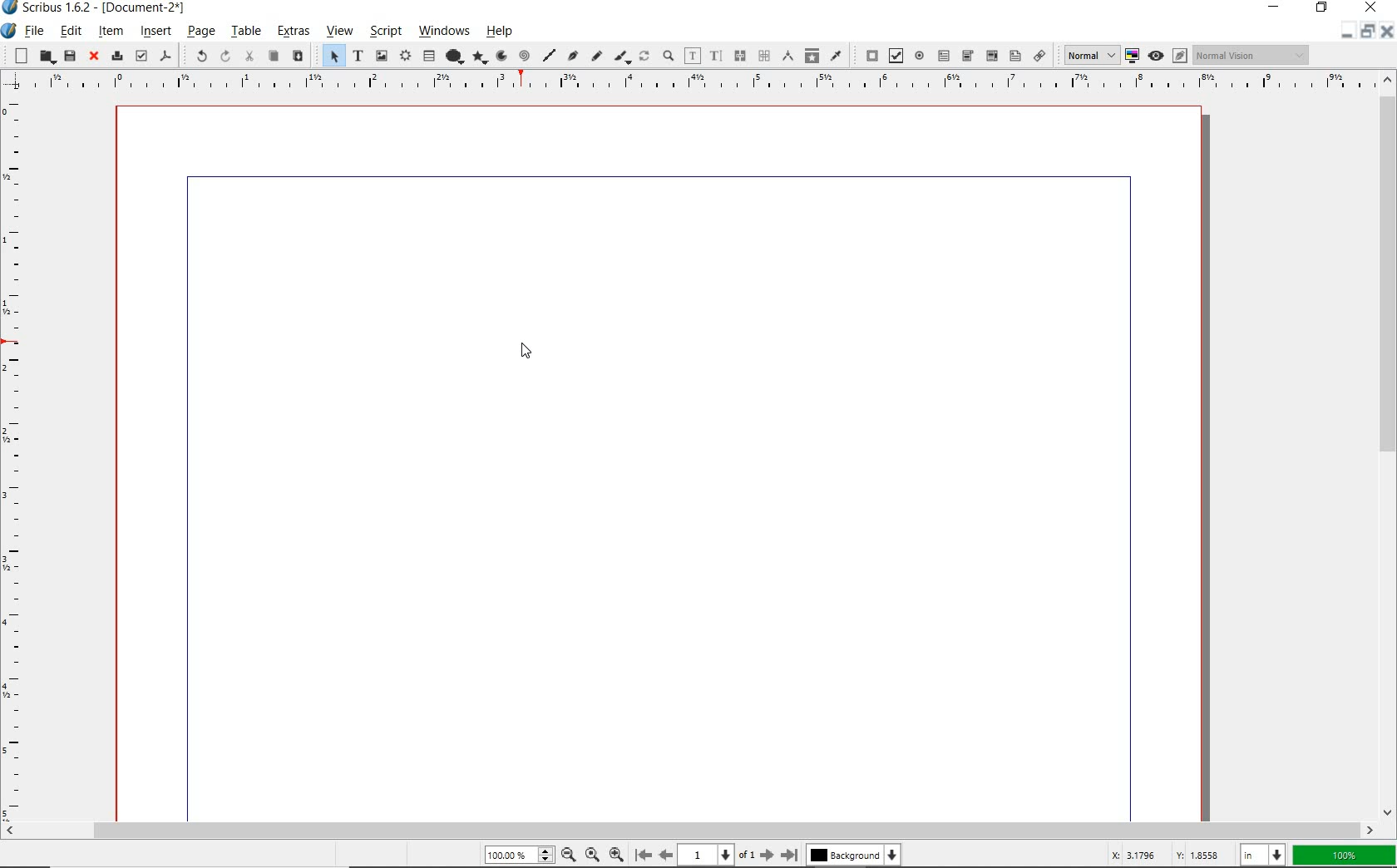 This screenshot has width=1397, height=868. What do you see at coordinates (739, 56) in the screenshot?
I see `link text frames` at bounding box center [739, 56].